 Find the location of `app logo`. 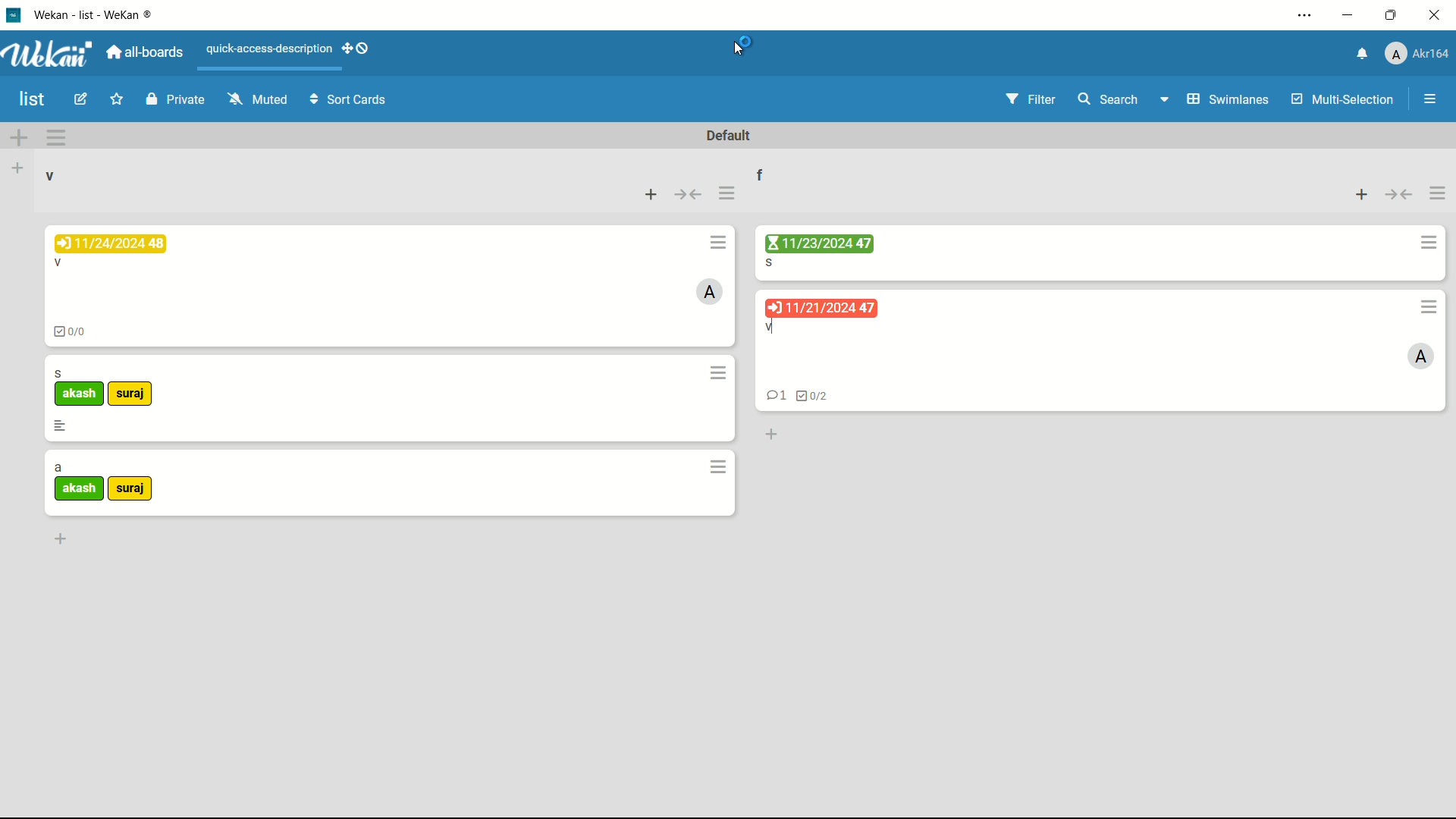

app logo is located at coordinates (49, 54).